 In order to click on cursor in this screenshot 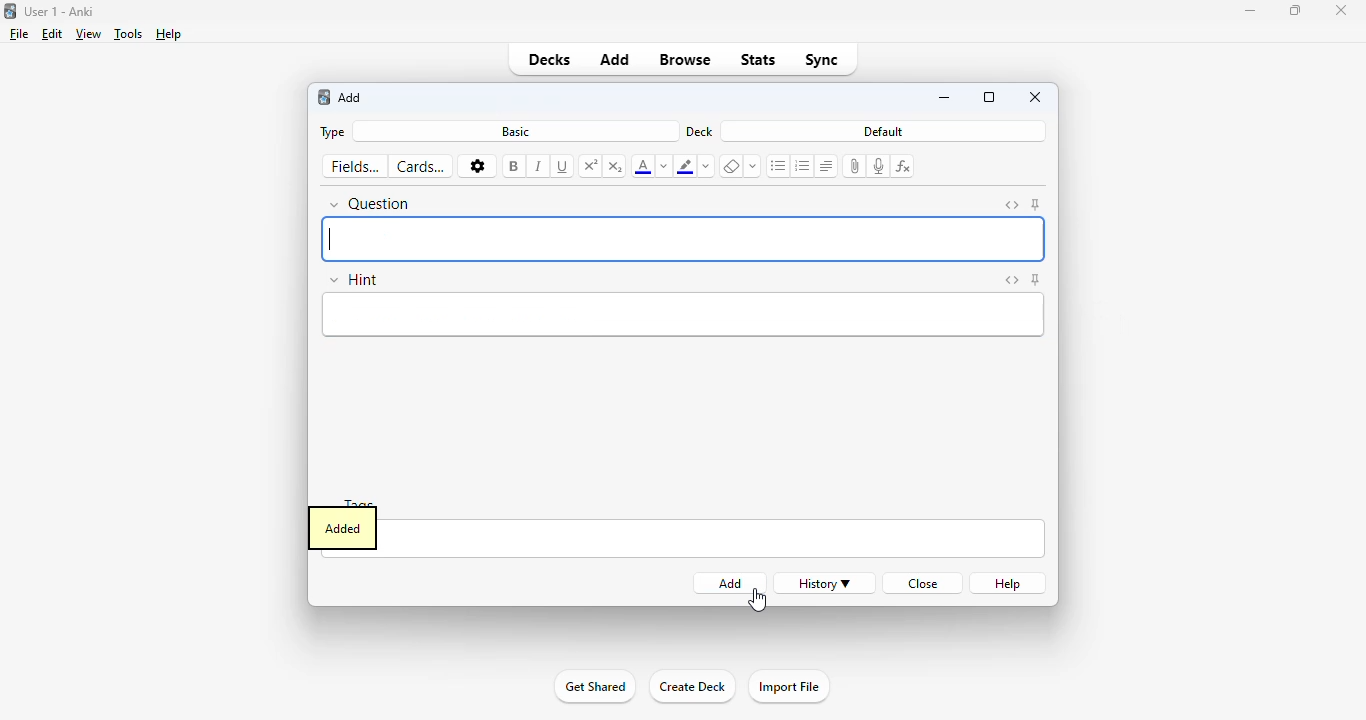, I will do `click(759, 601)`.